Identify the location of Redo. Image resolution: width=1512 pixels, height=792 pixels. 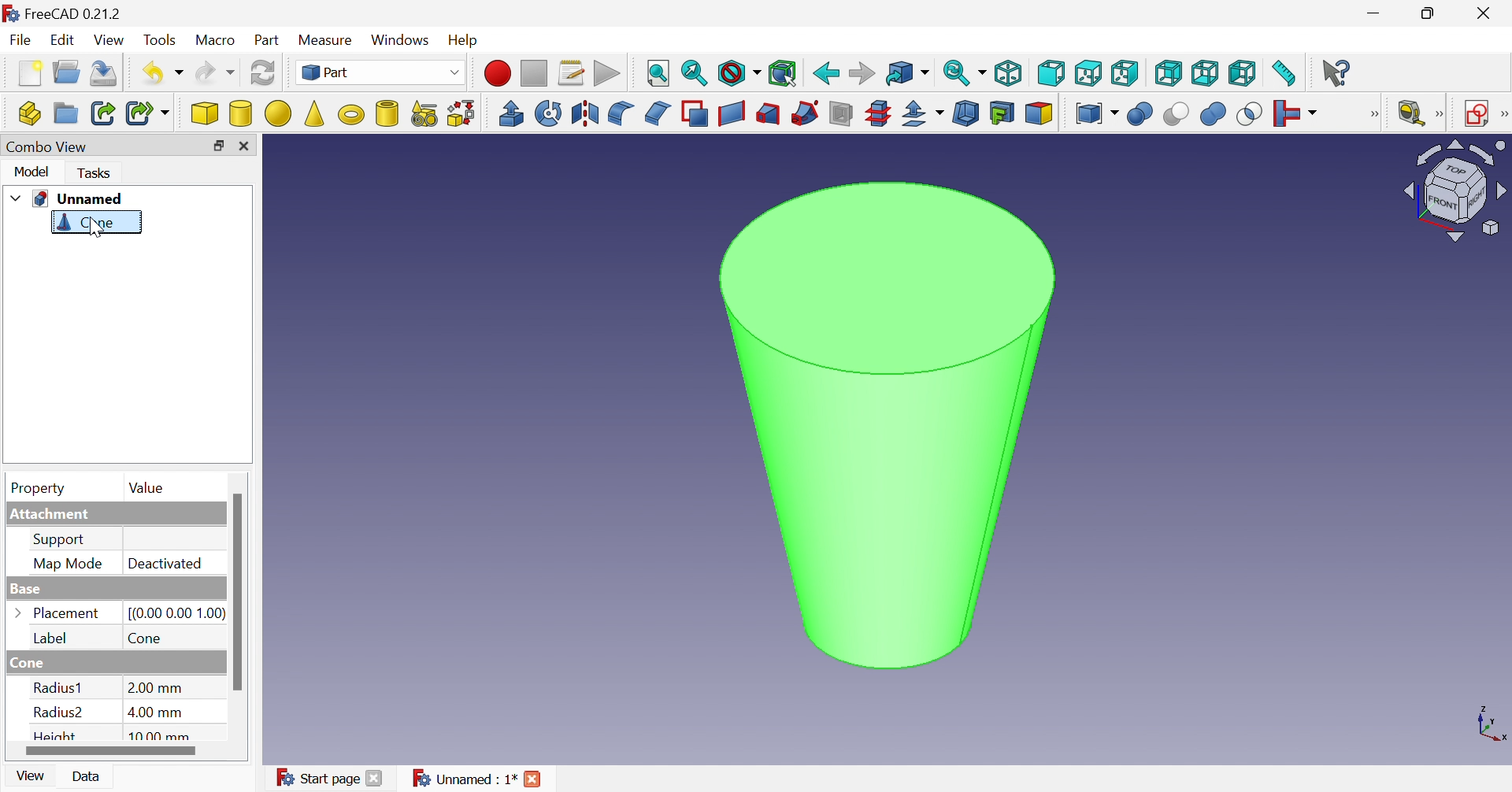
(214, 73).